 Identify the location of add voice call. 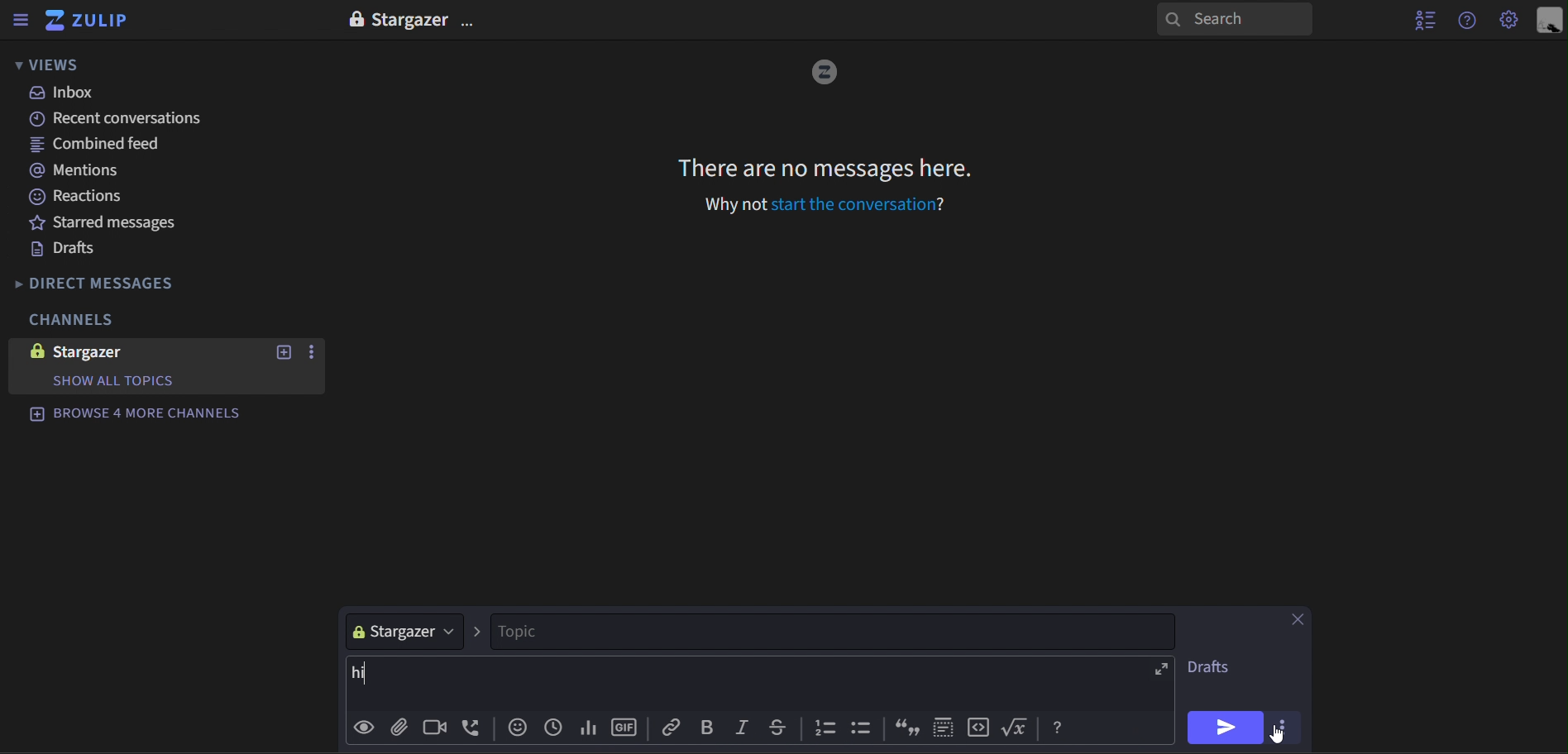
(473, 728).